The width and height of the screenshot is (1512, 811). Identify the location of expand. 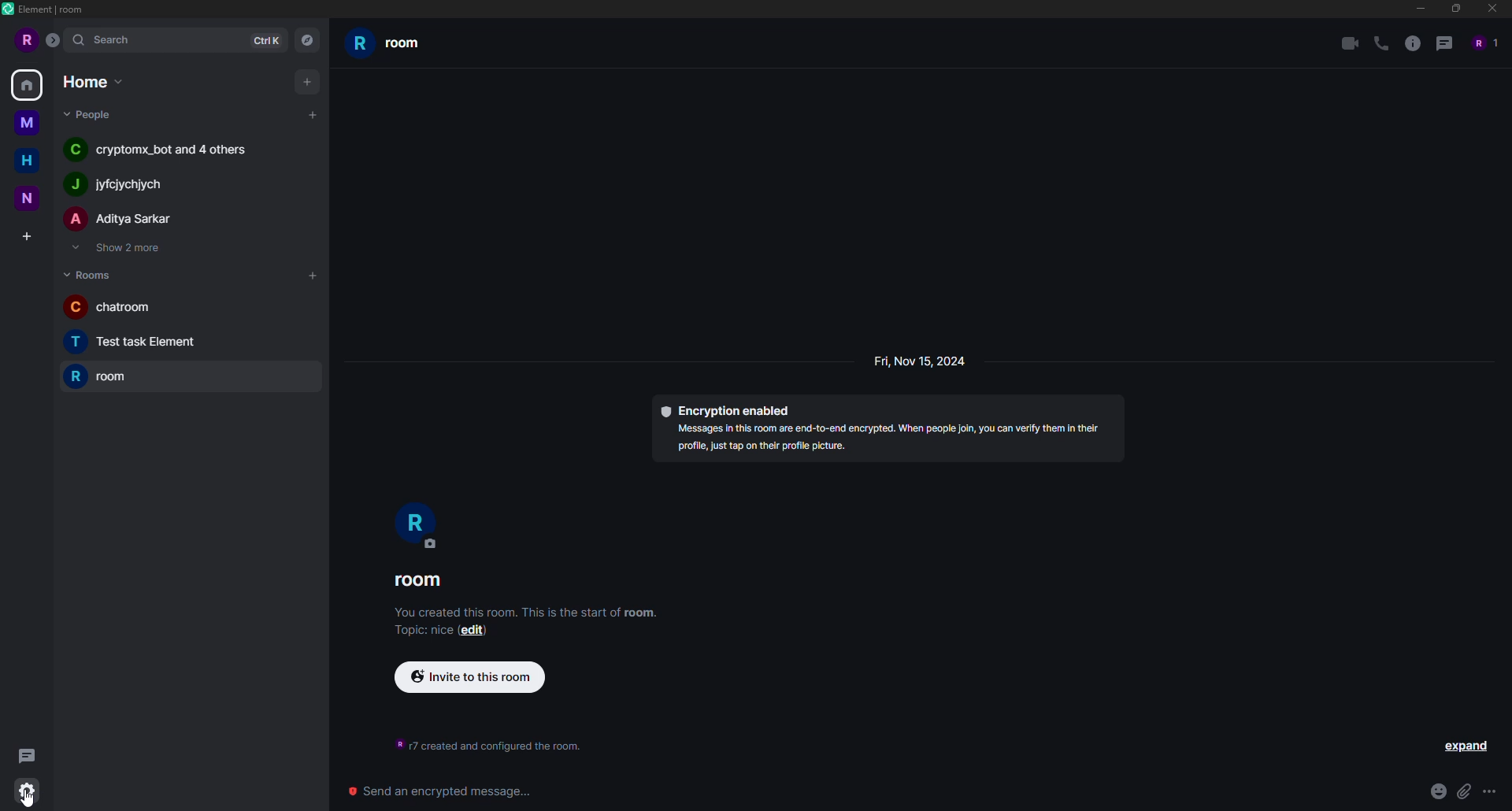
(54, 39).